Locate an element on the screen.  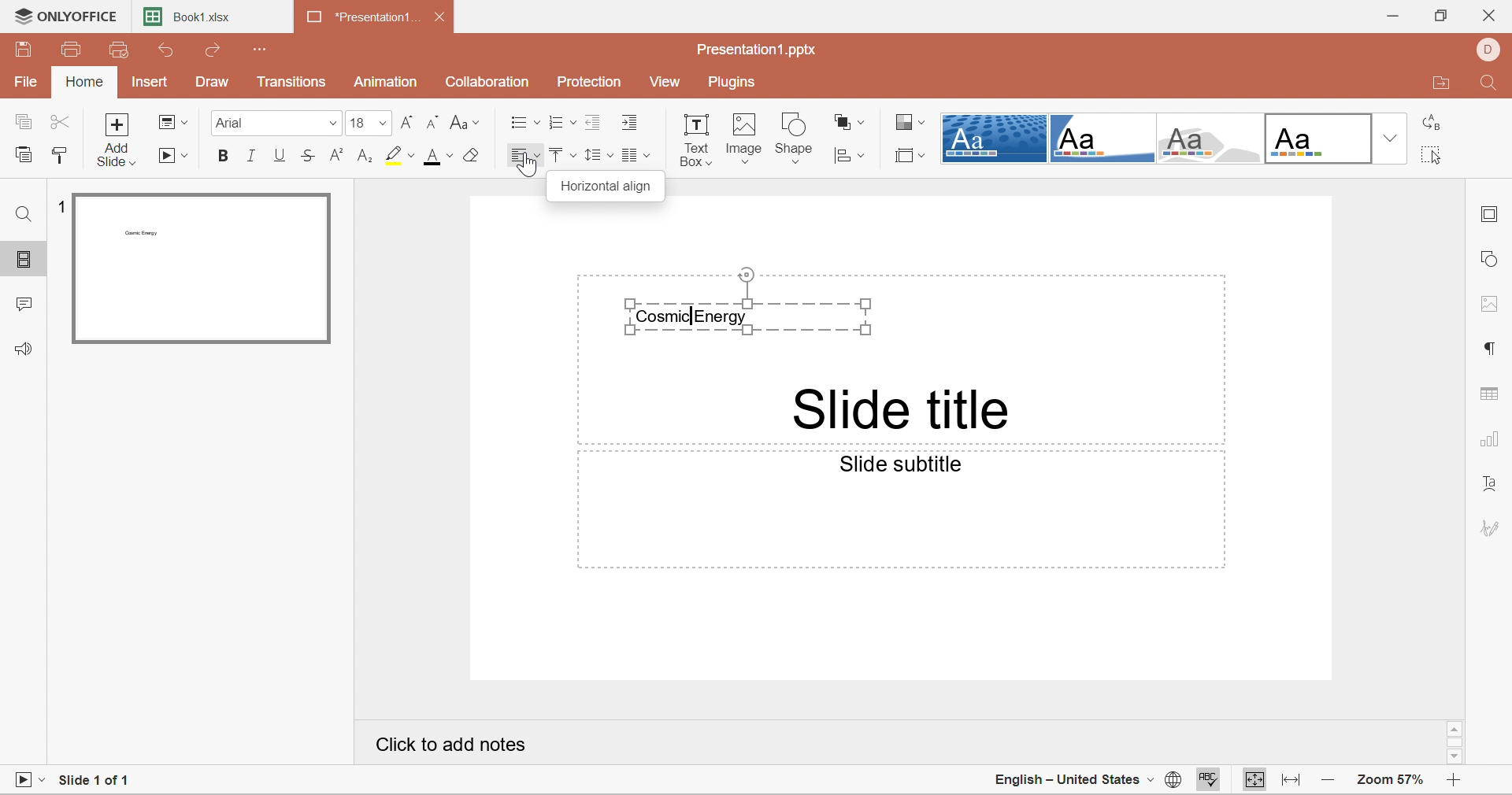
Change color theme is located at coordinates (910, 124).